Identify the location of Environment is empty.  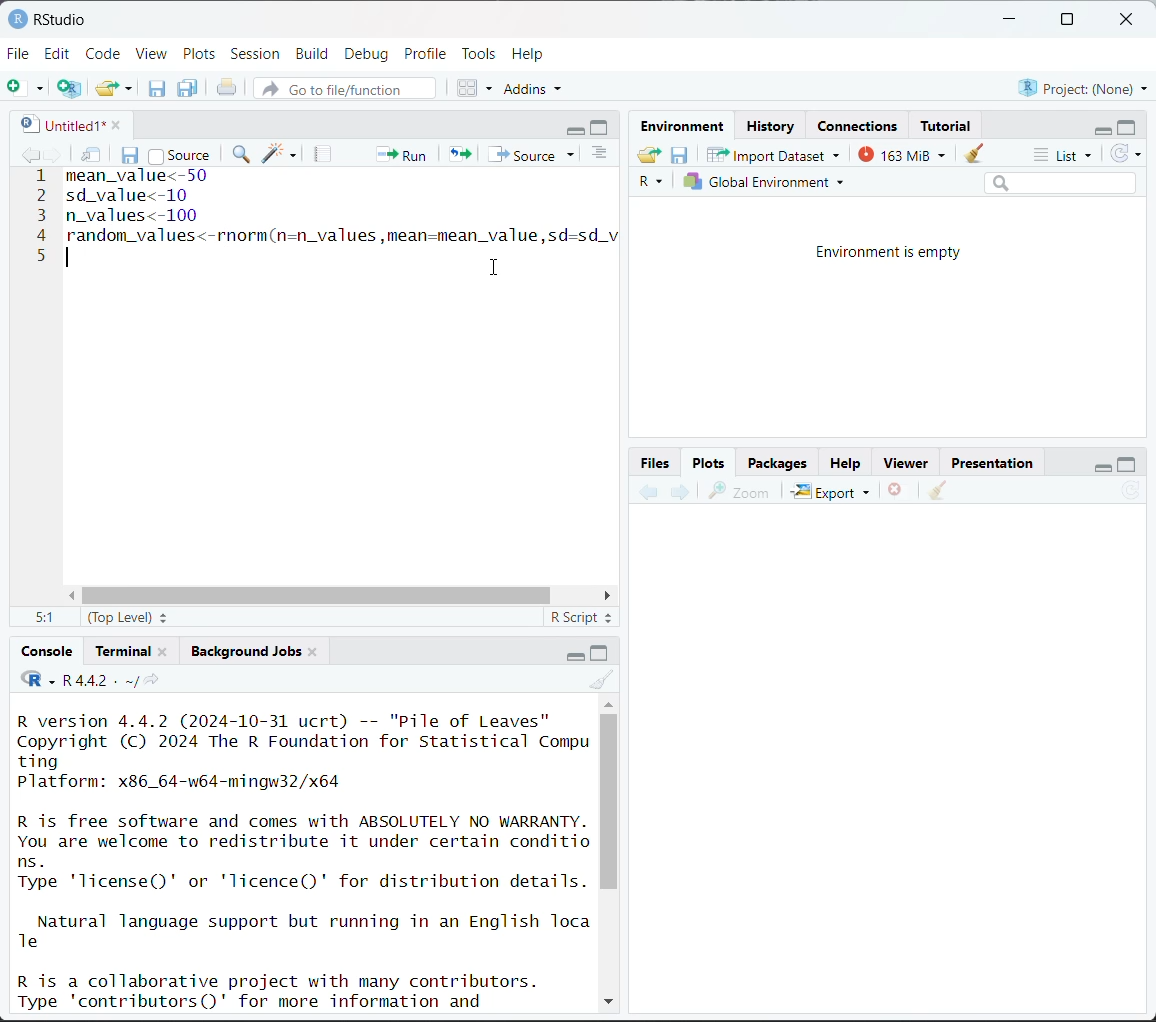
(890, 253).